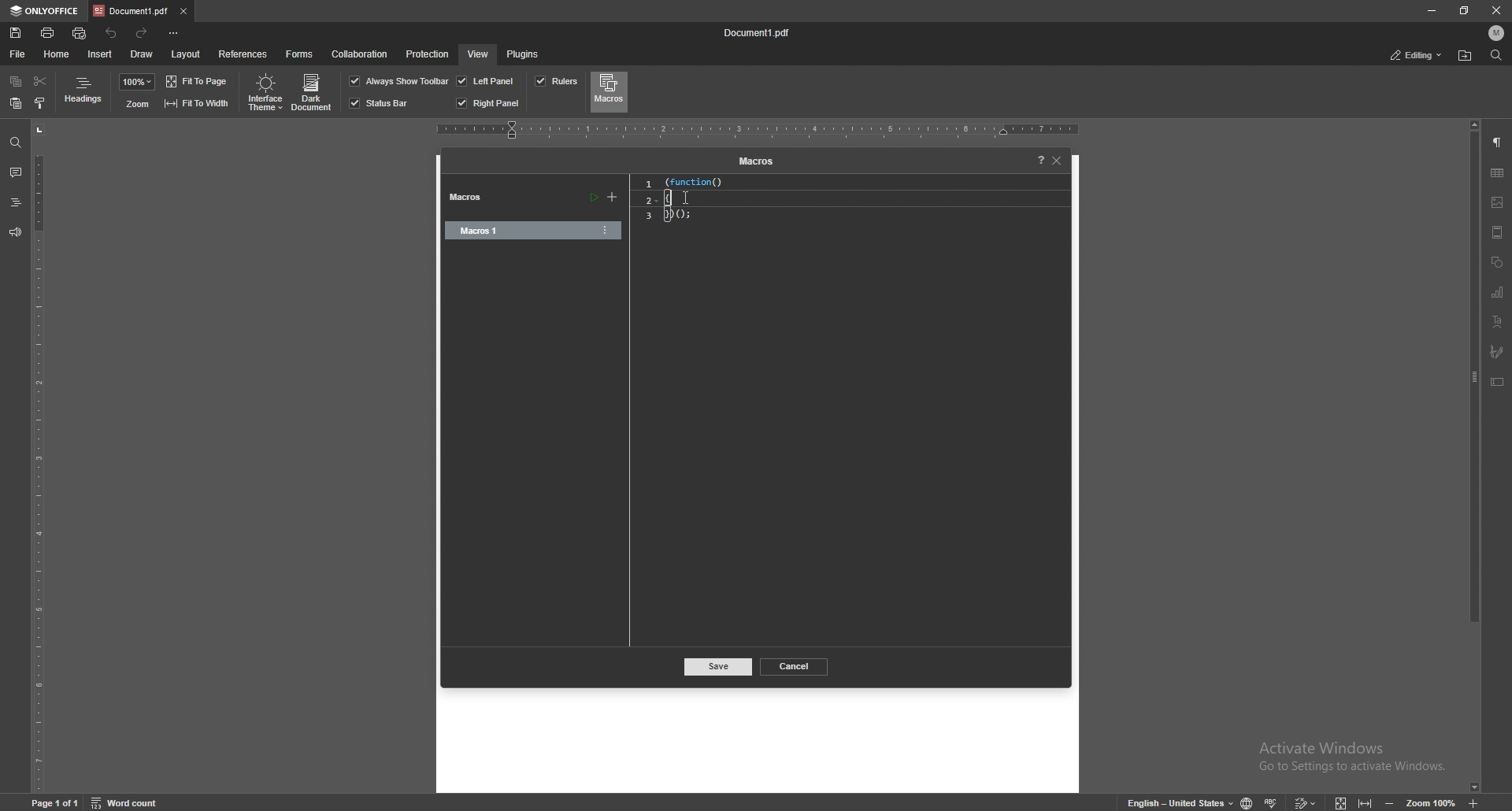  What do you see at coordinates (477, 54) in the screenshot?
I see `view` at bounding box center [477, 54].